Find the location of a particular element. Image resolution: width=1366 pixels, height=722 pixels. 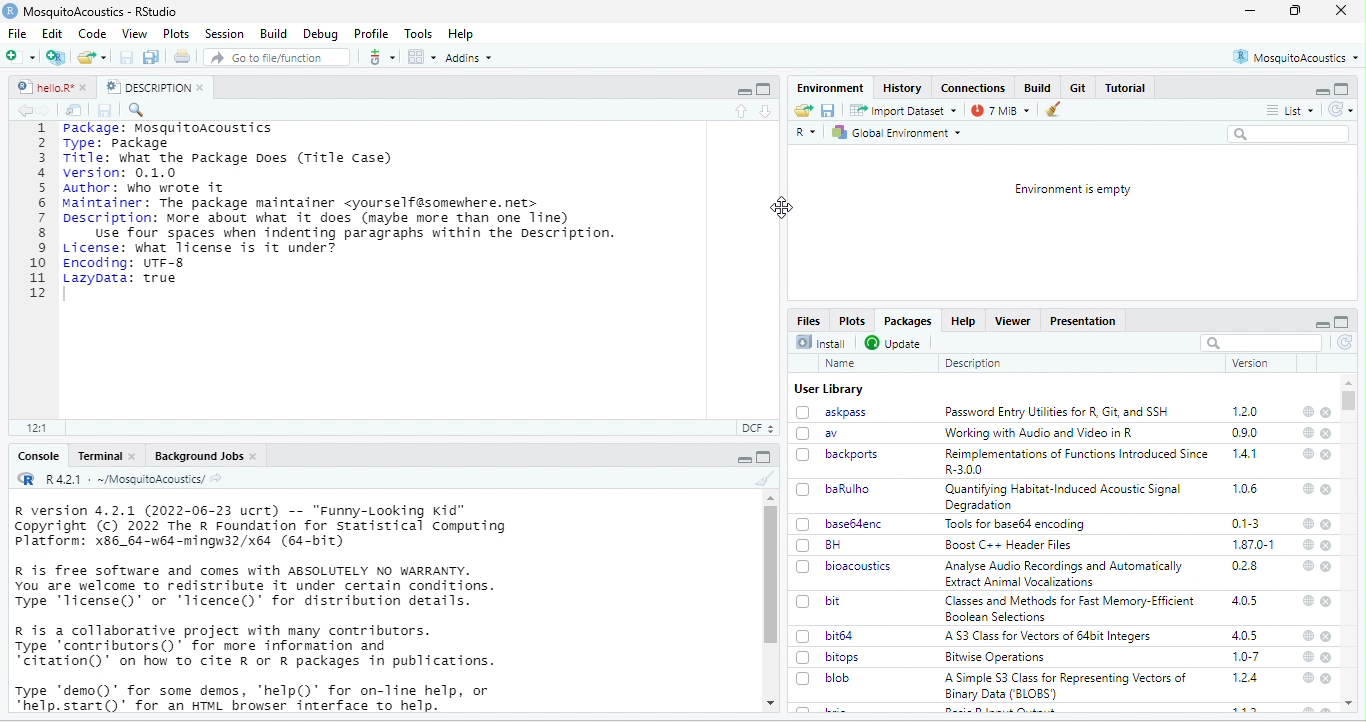

Show in new window is located at coordinates (74, 110).